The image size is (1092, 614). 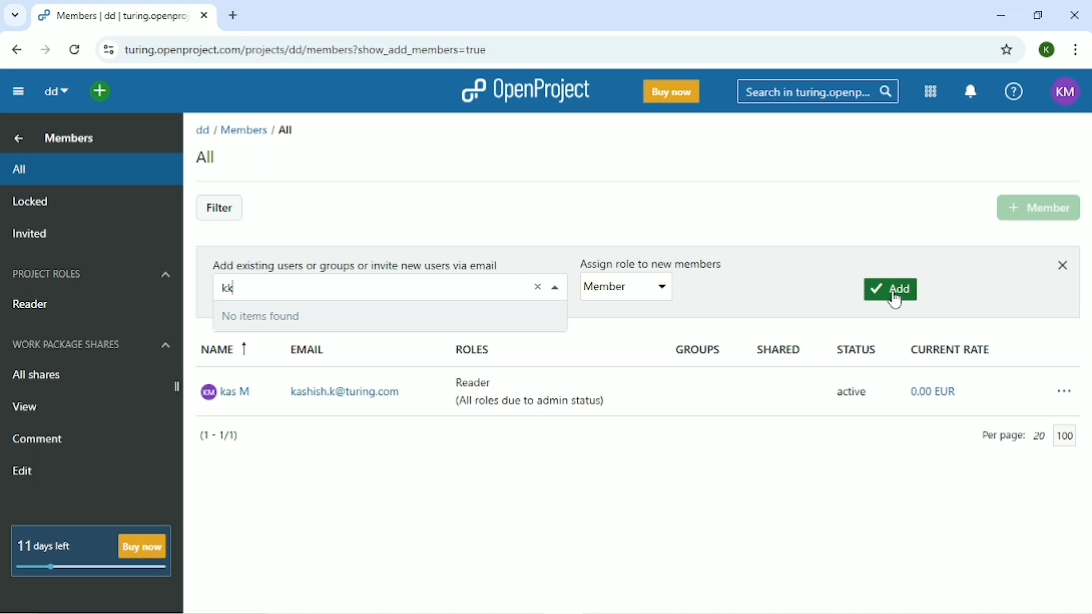 I want to click on Up, so click(x=19, y=139).